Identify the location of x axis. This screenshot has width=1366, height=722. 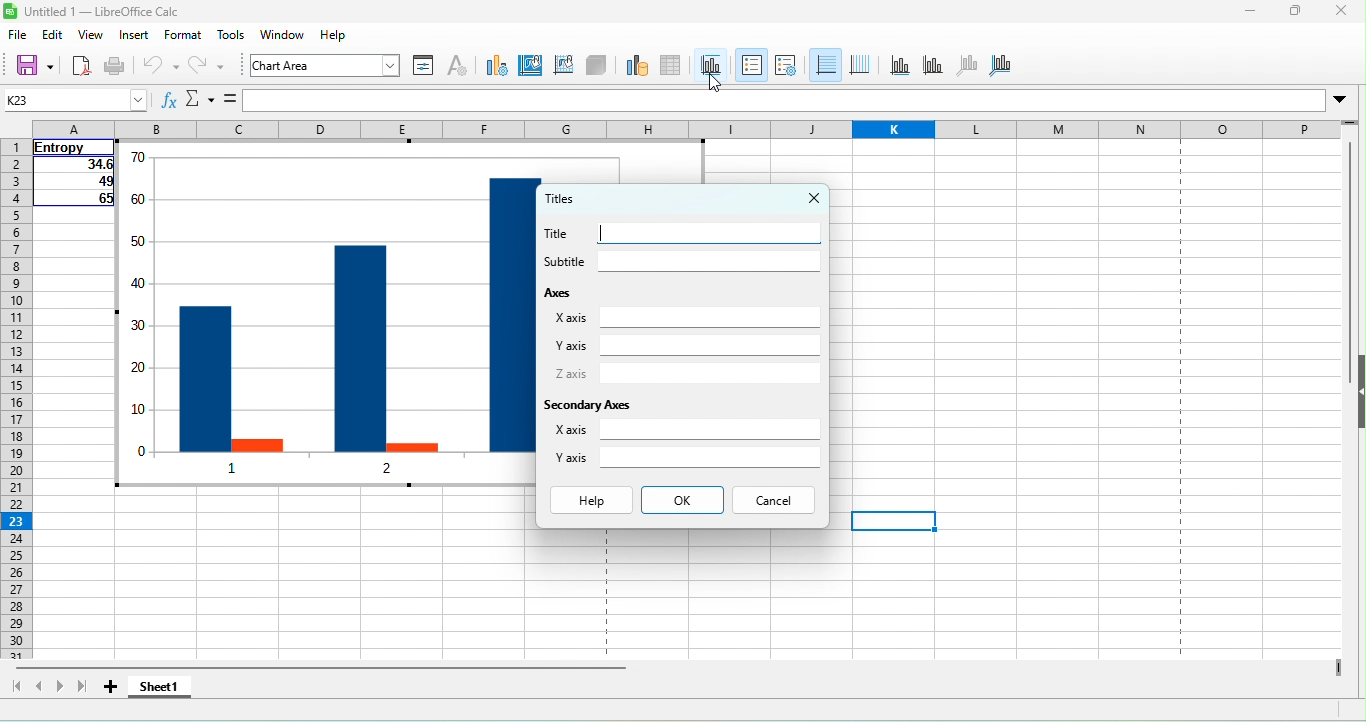
(899, 65).